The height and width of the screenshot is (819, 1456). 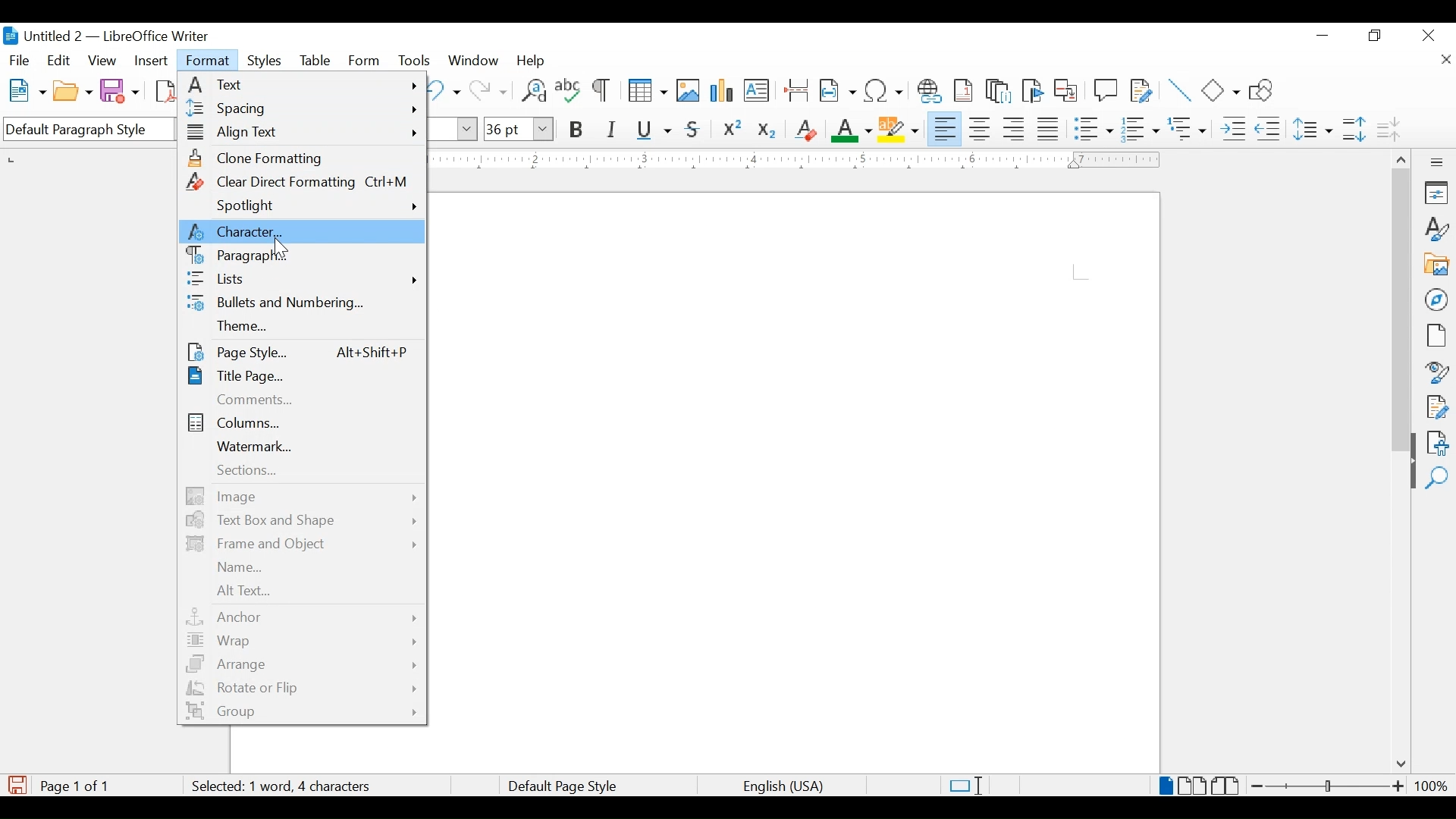 What do you see at coordinates (965, 785) in the screenshot?
I see `standard selections` at bounding box center [965, 785].